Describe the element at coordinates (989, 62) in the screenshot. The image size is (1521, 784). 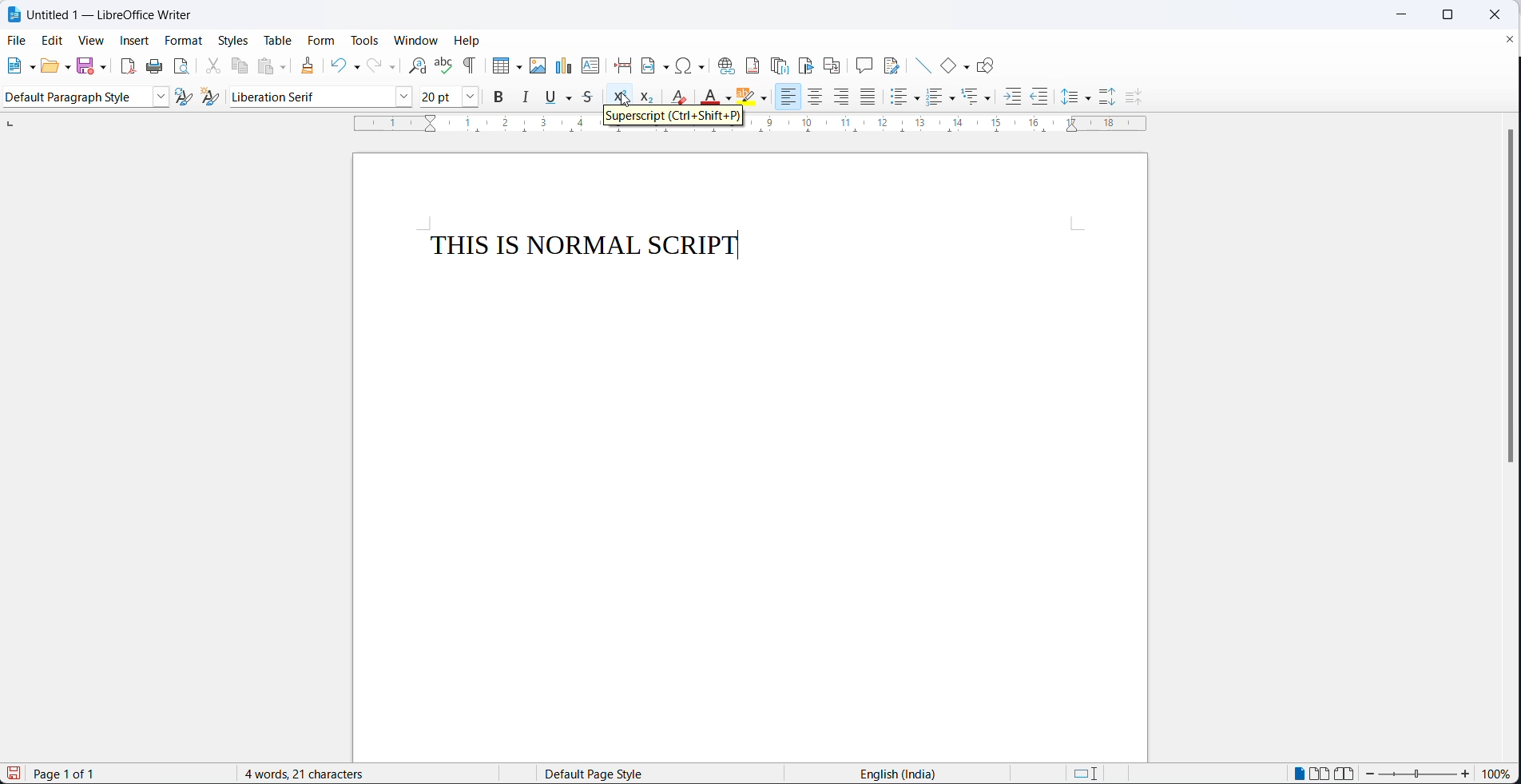
I see `show draw functions` at that location.